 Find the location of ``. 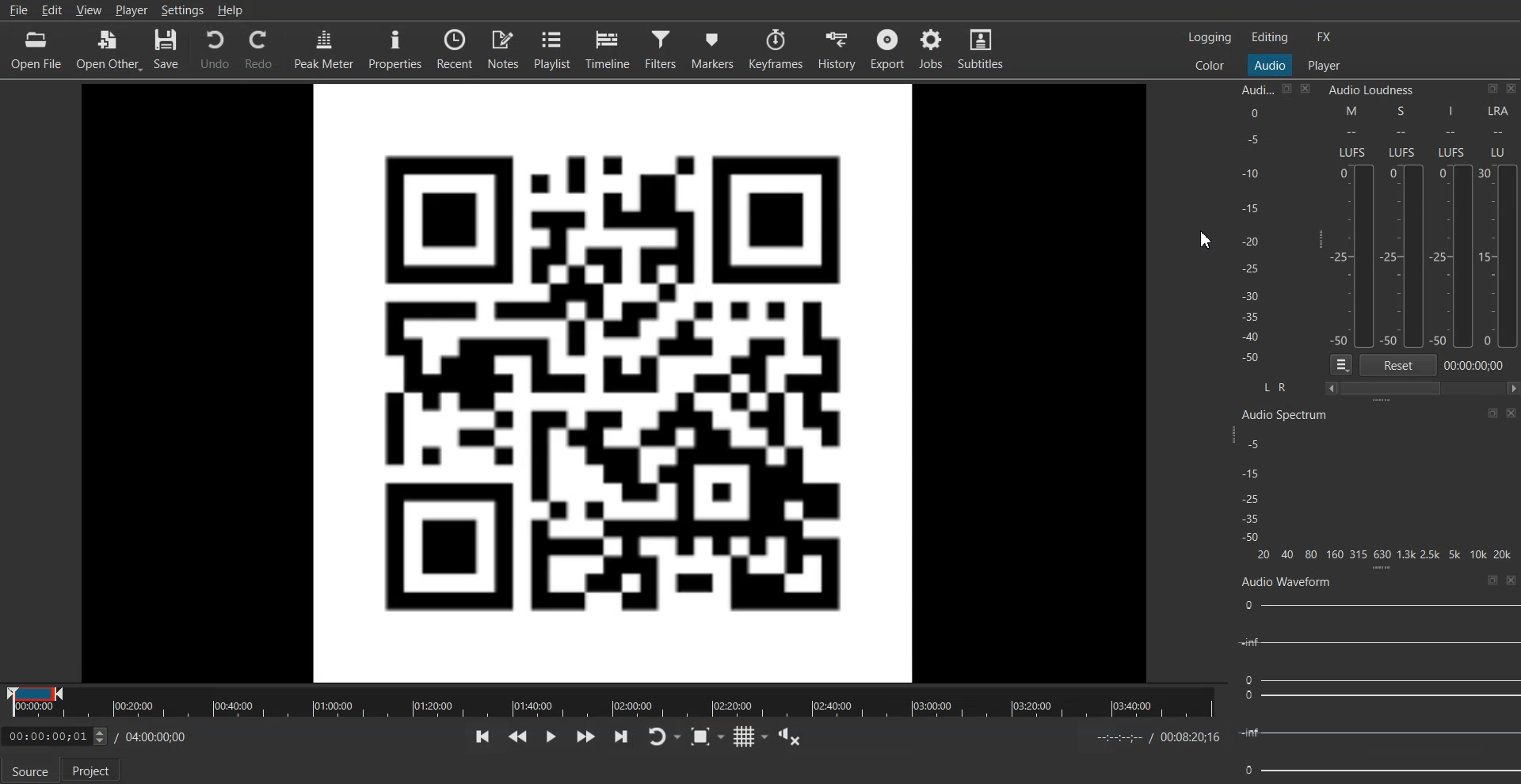

 is located at coordinates (1275, 388).